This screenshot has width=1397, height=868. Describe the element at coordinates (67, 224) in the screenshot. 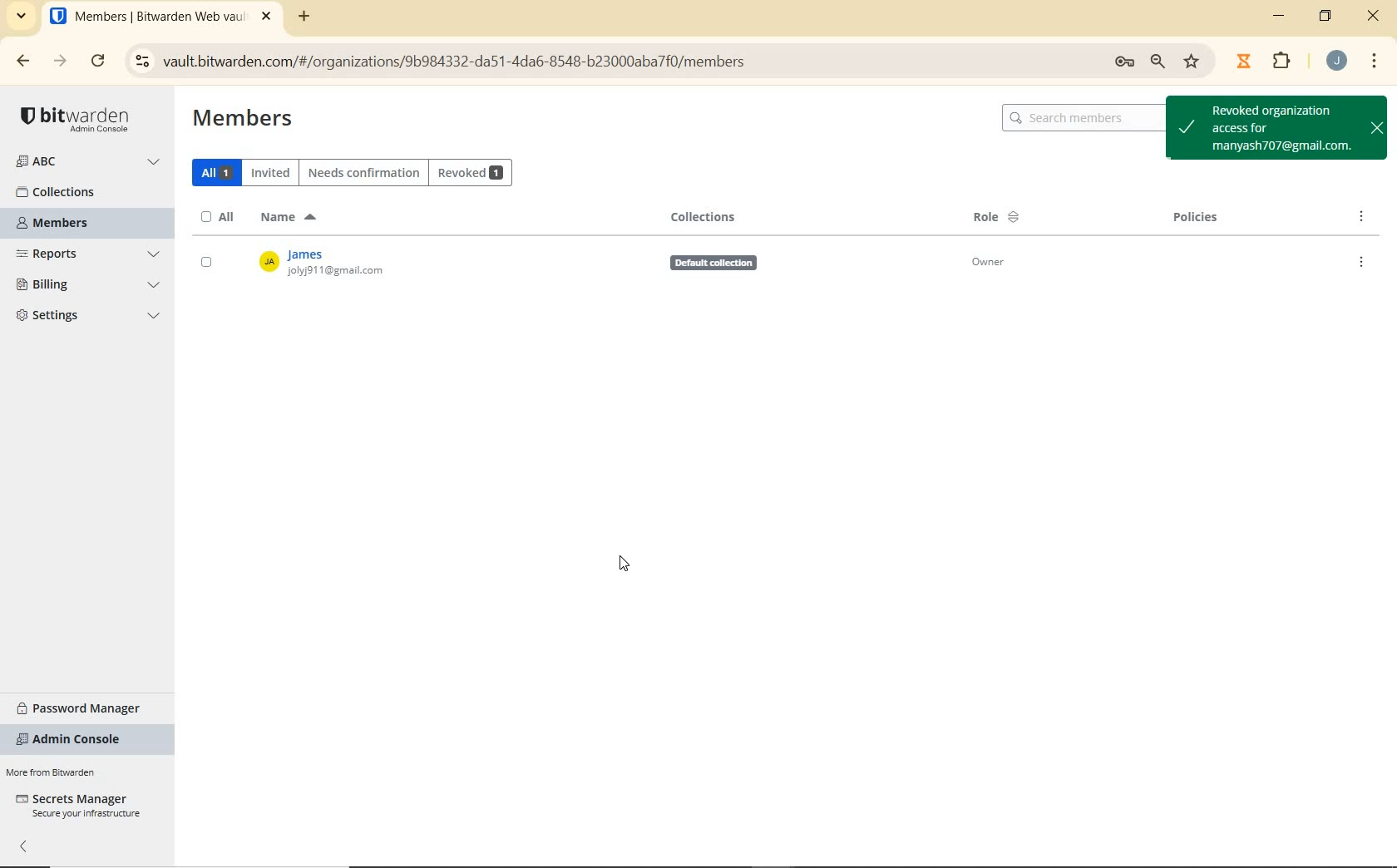

I see `MEMBERS` at that location.